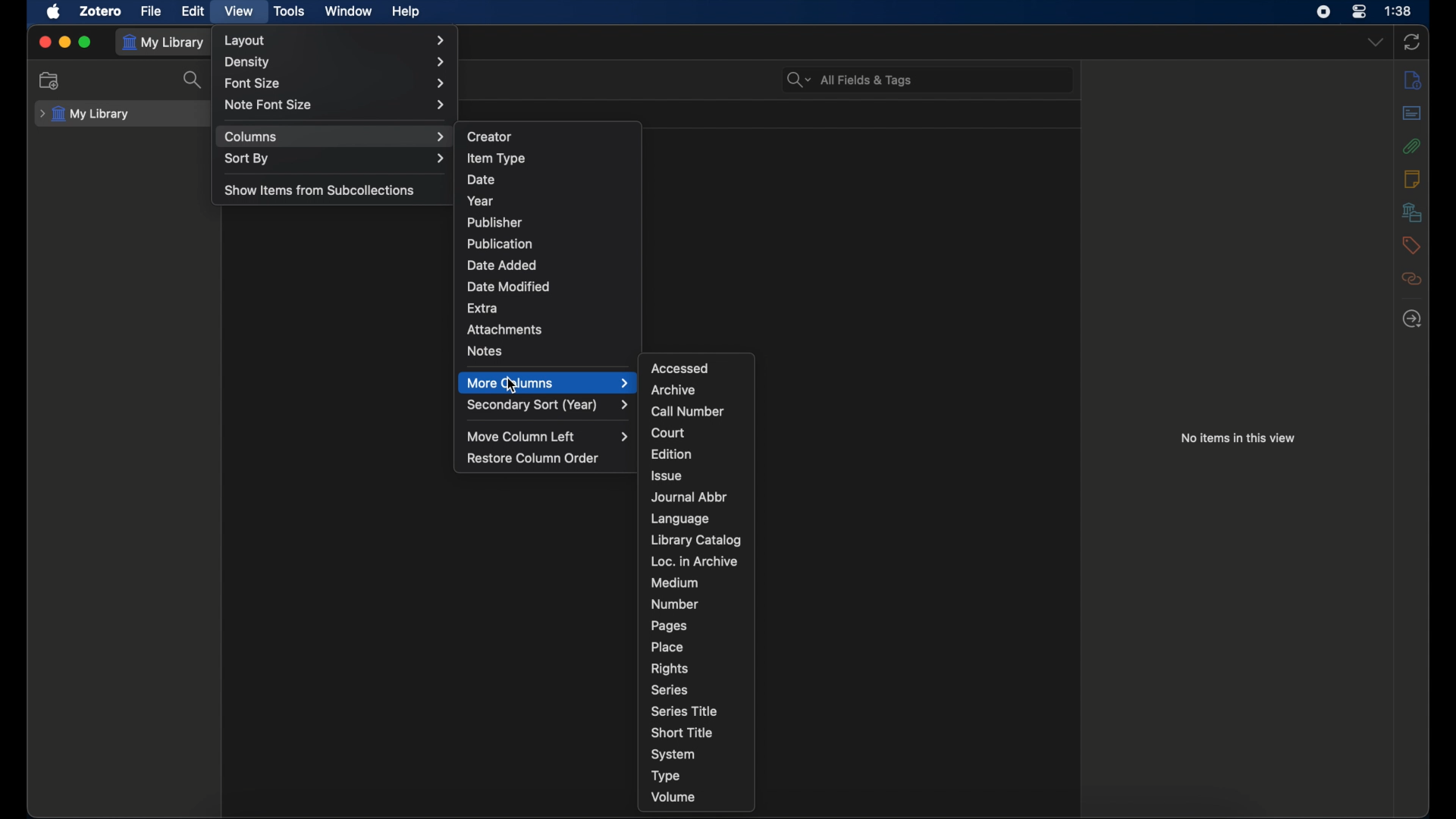 This screenshot has width=1456, height=819. Describe the element at coordinates (687, 711) in the screenshot. I see `series titile` at that location.